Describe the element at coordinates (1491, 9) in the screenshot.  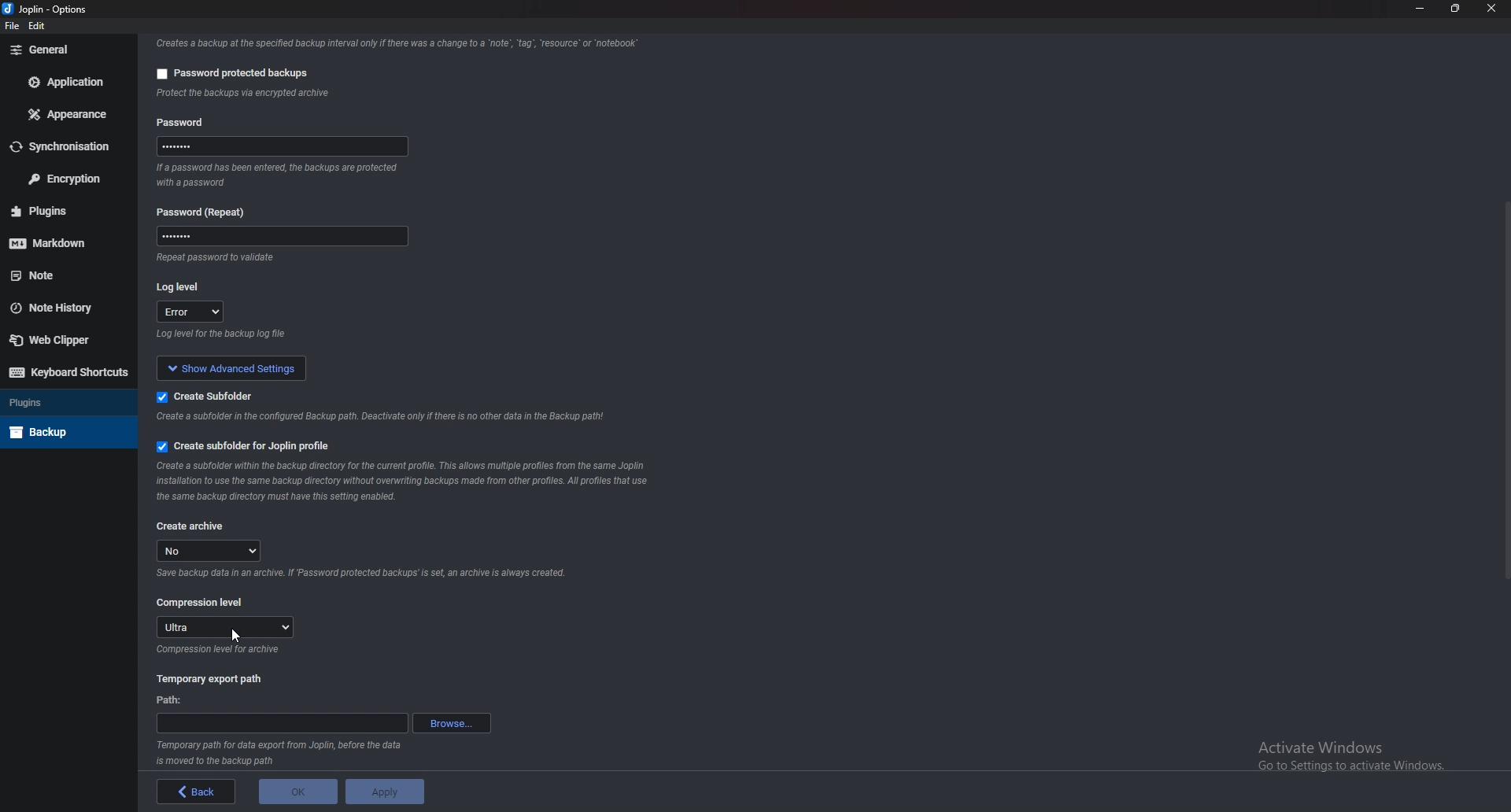
I see `close` at that location.